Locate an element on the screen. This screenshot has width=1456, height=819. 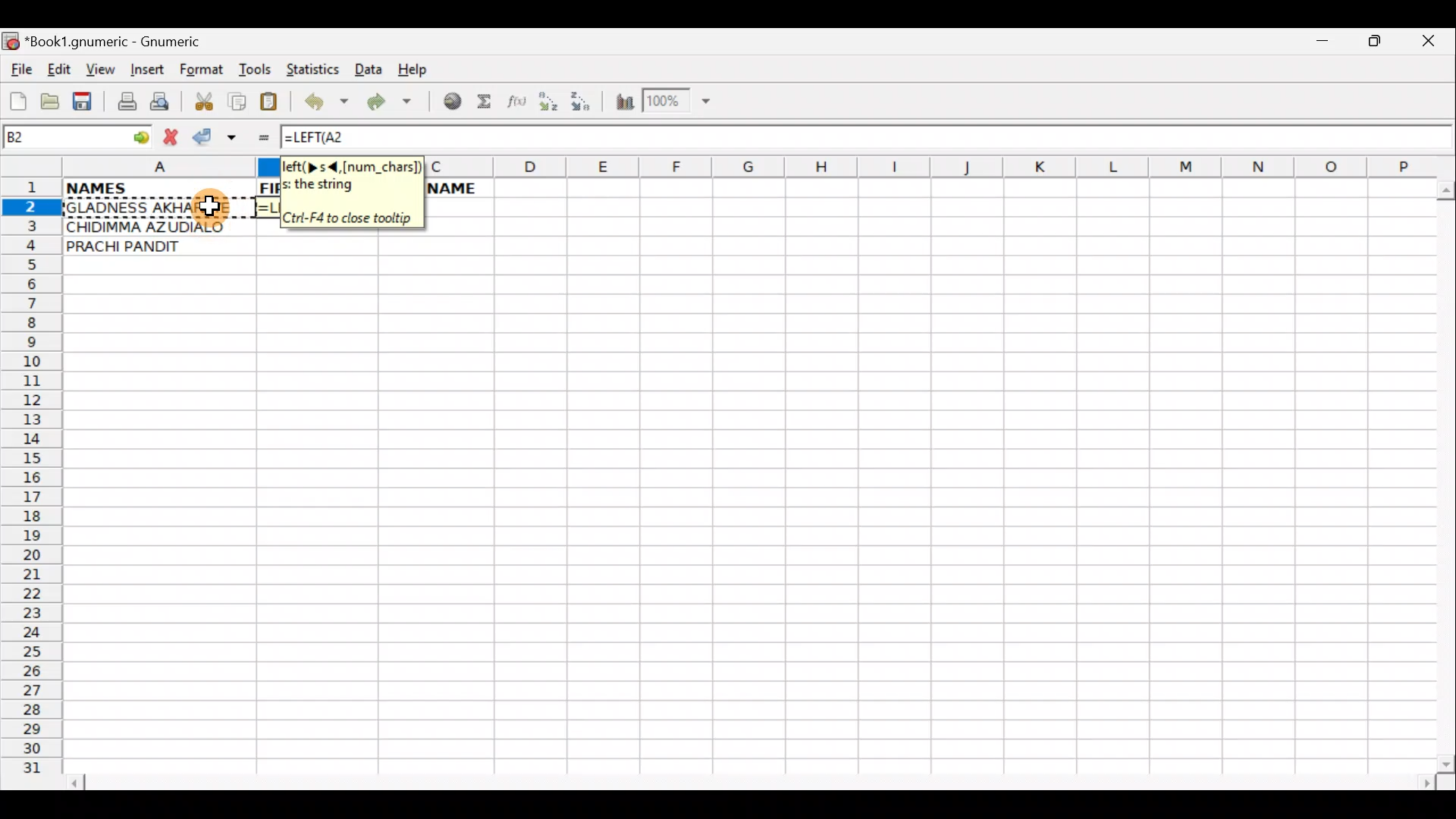
Help is located at coordinates (411, 68).